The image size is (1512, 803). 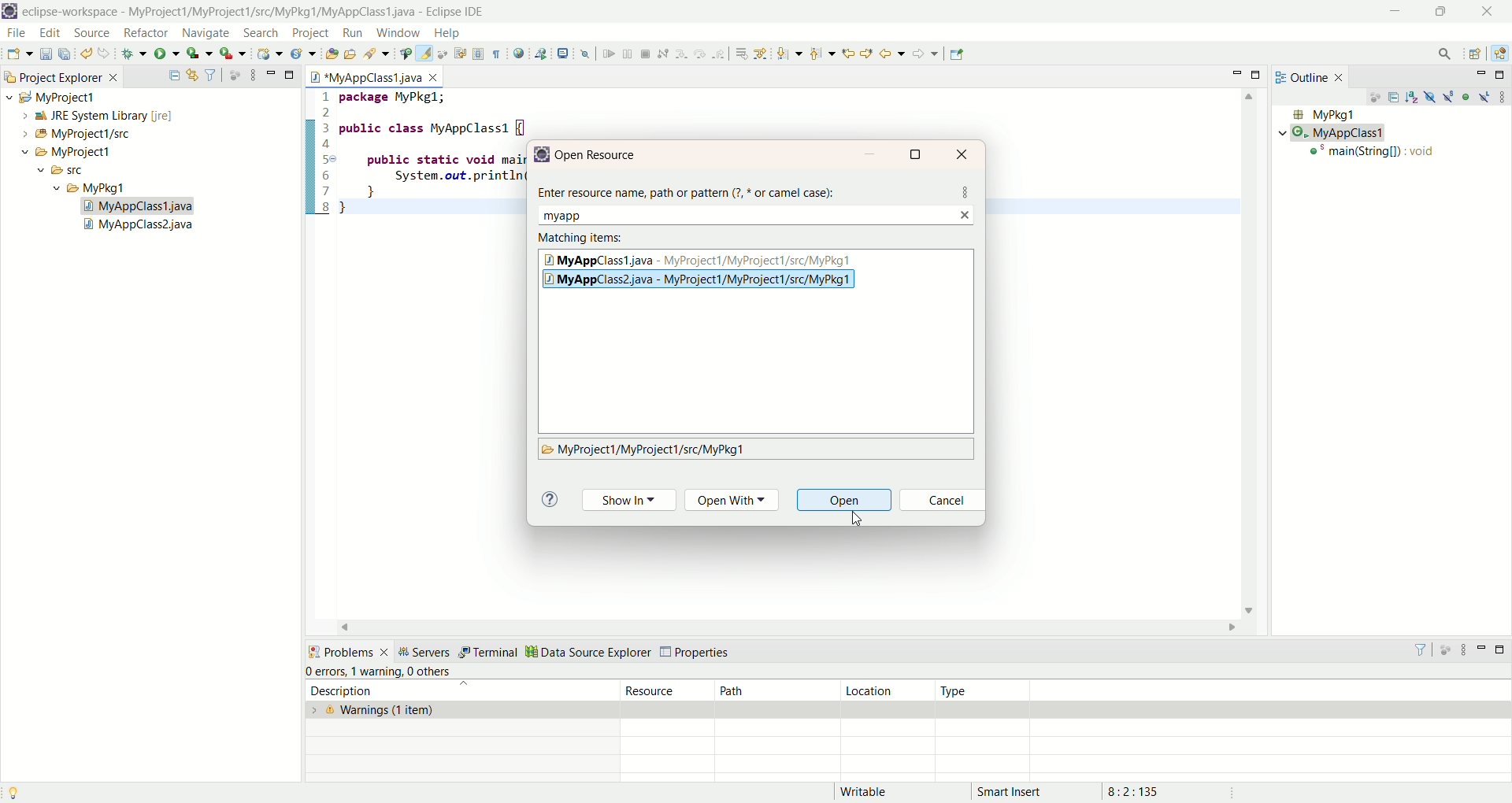 What do you see at coordinates (1395, 10) in the screenshot?
I see `minimize` at bounding box center [1395, 10].